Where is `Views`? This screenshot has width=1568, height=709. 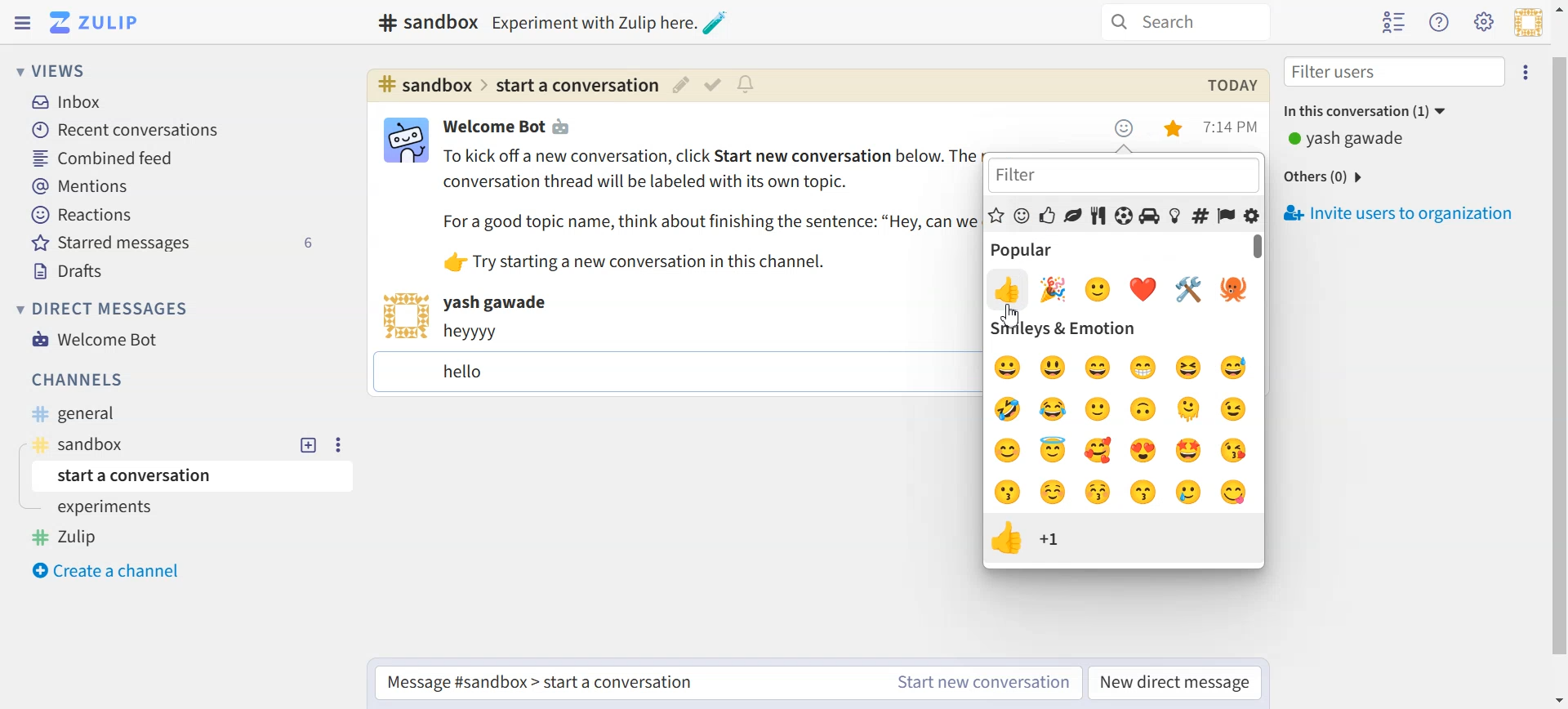 Views is located at coordinates (56, 70).